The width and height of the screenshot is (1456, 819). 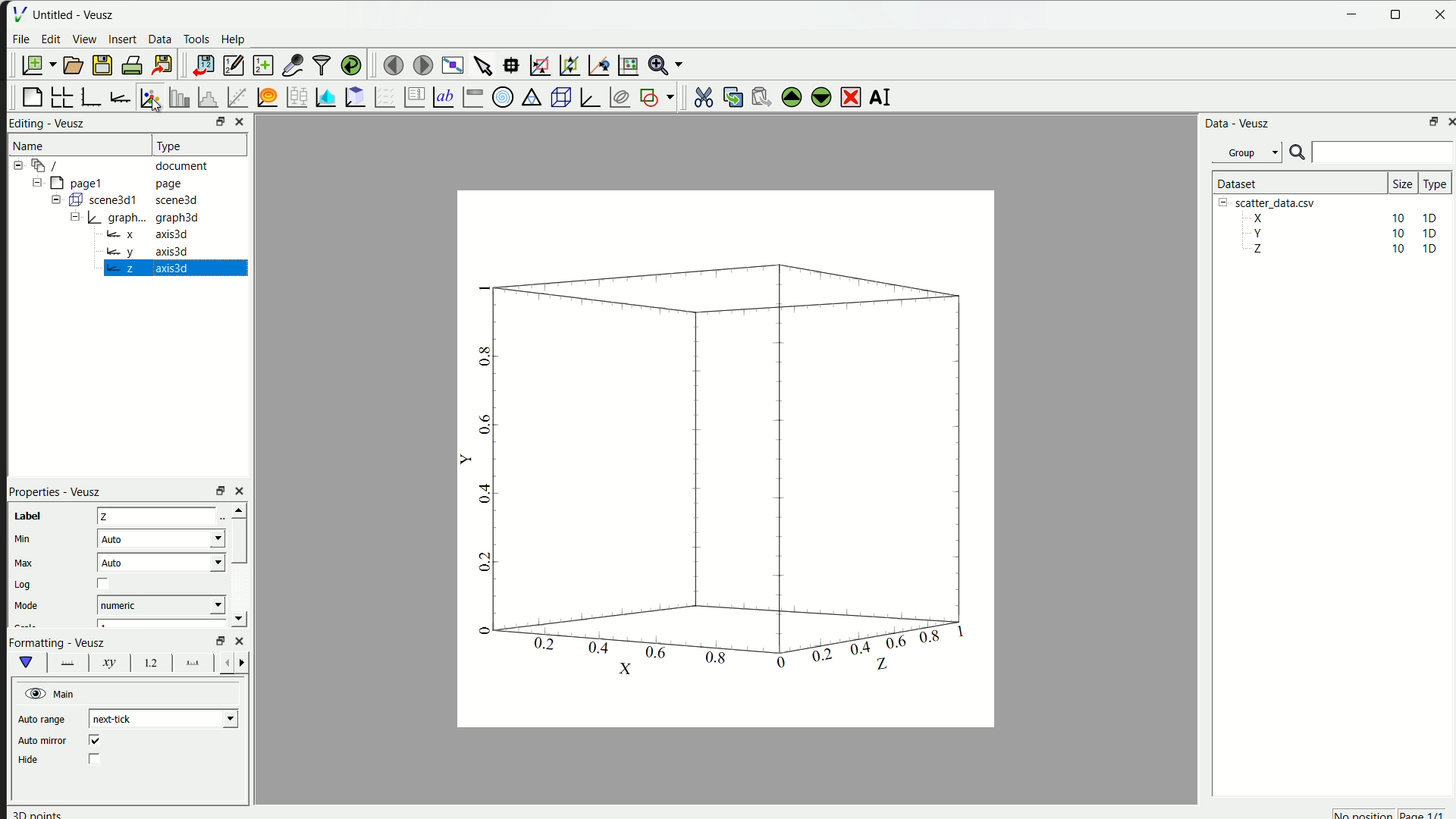 What do you see at coordinates (420, 64) in the screenshot?
I see `move to the next page` at bounding box center [420, 64].